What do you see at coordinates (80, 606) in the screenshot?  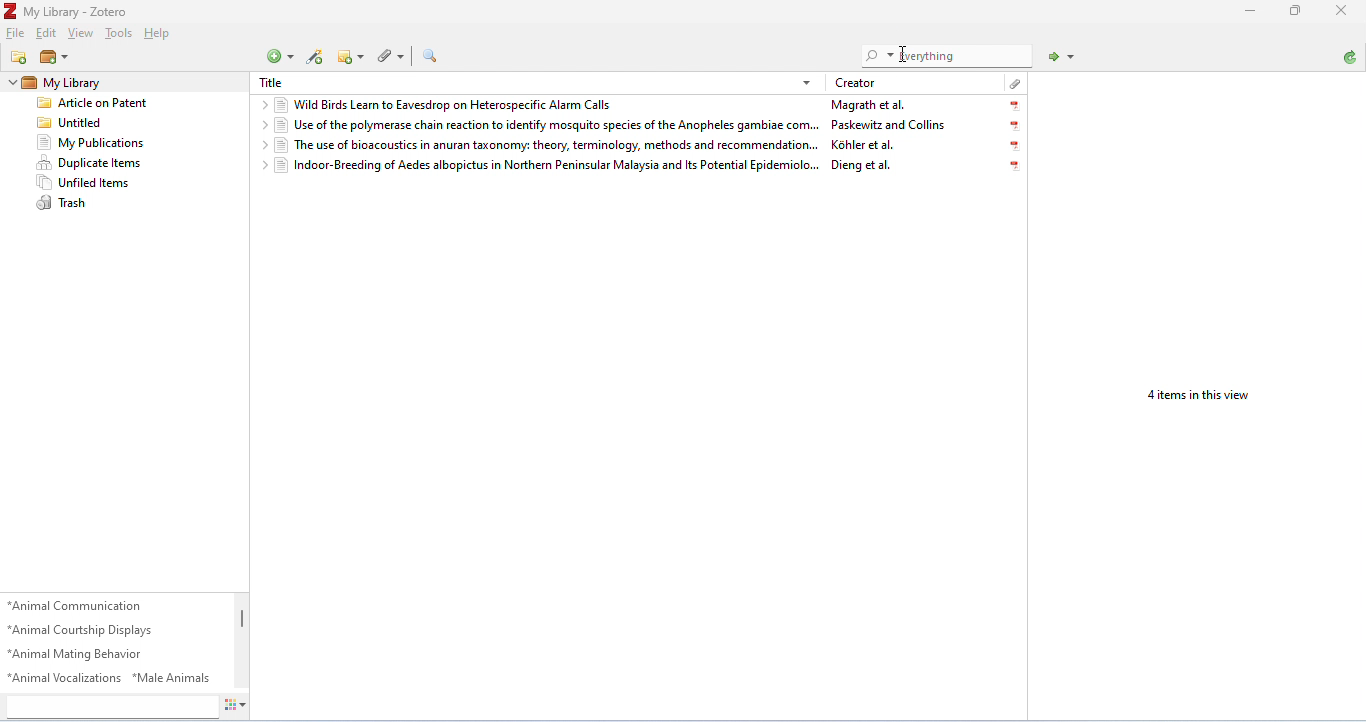 I see `*Animal Communication` at bounding box center [80, 606].